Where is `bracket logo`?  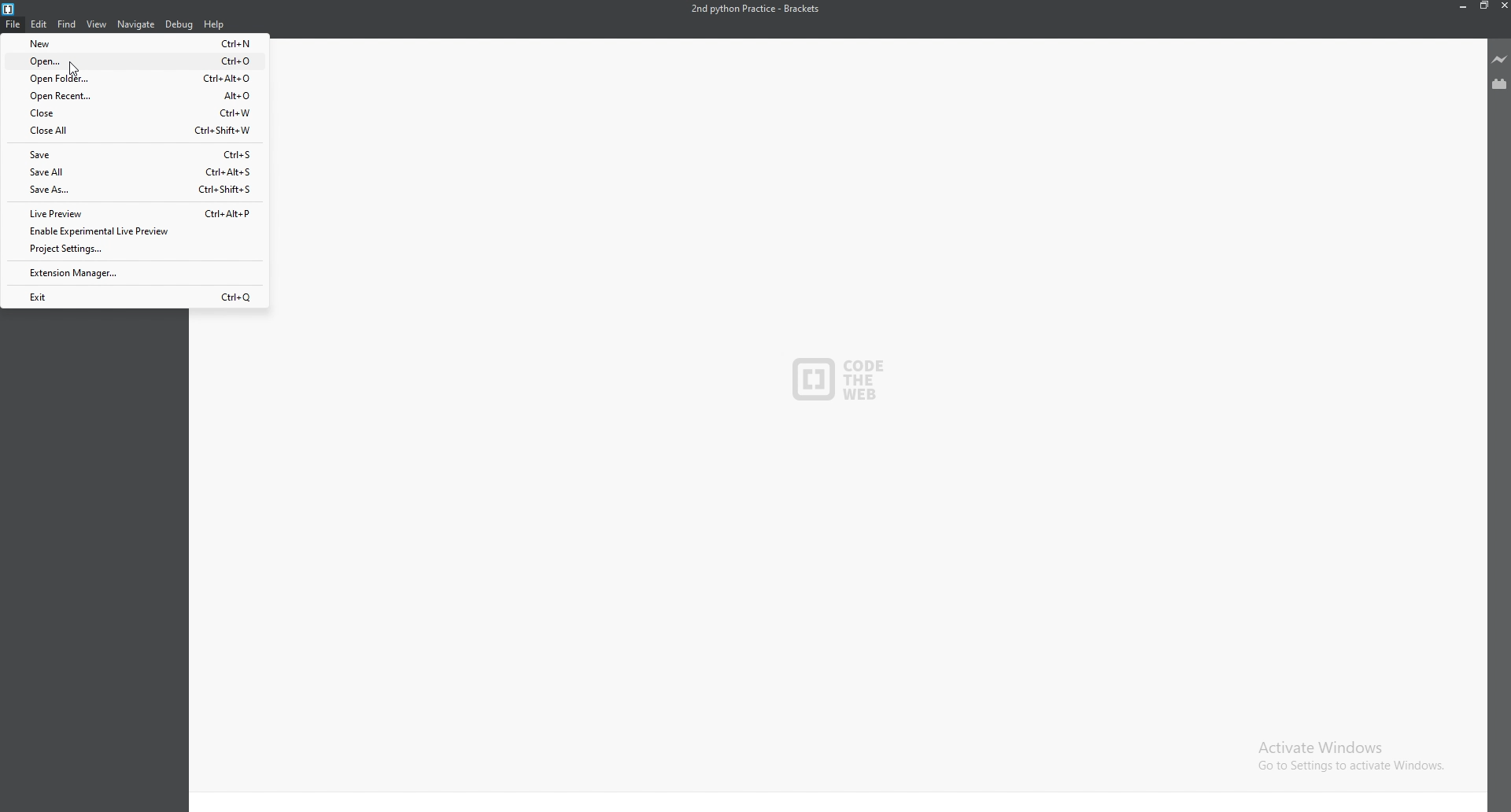 bracket logo is located at coordinates (14, 9).